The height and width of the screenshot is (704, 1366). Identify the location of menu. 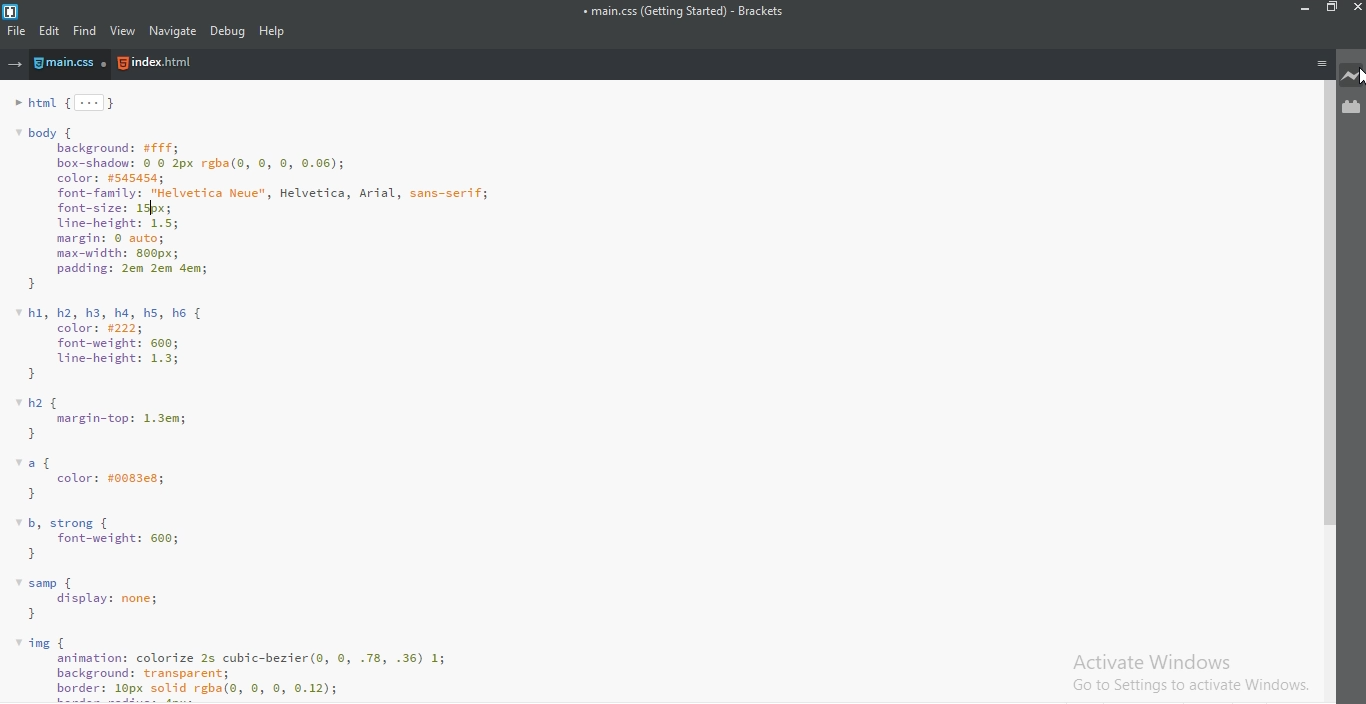
(1321, 63).